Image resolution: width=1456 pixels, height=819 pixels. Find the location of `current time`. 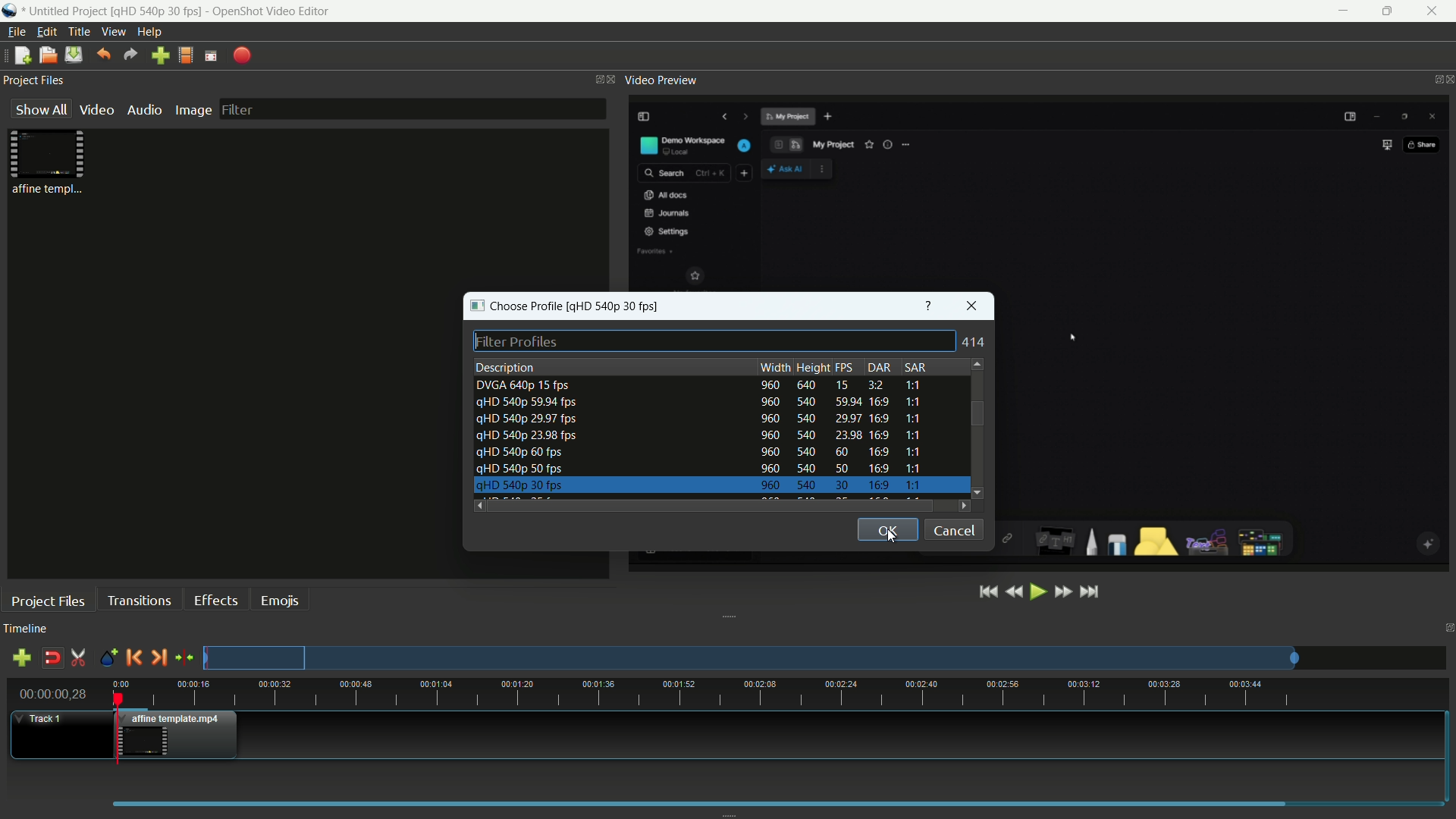

current time is located at coordinates (52, 694).